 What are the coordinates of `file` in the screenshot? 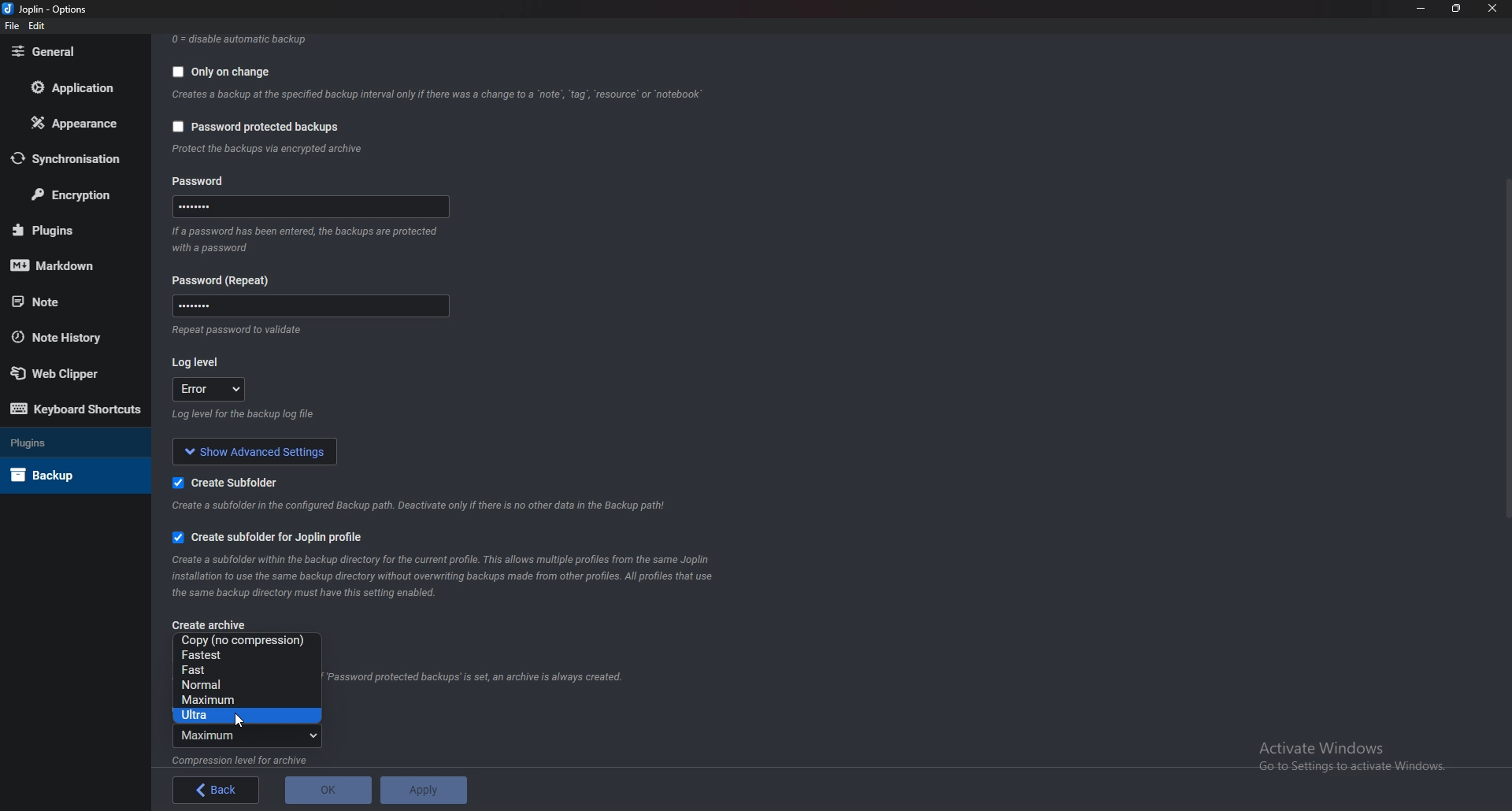 It's located at (13, 26).